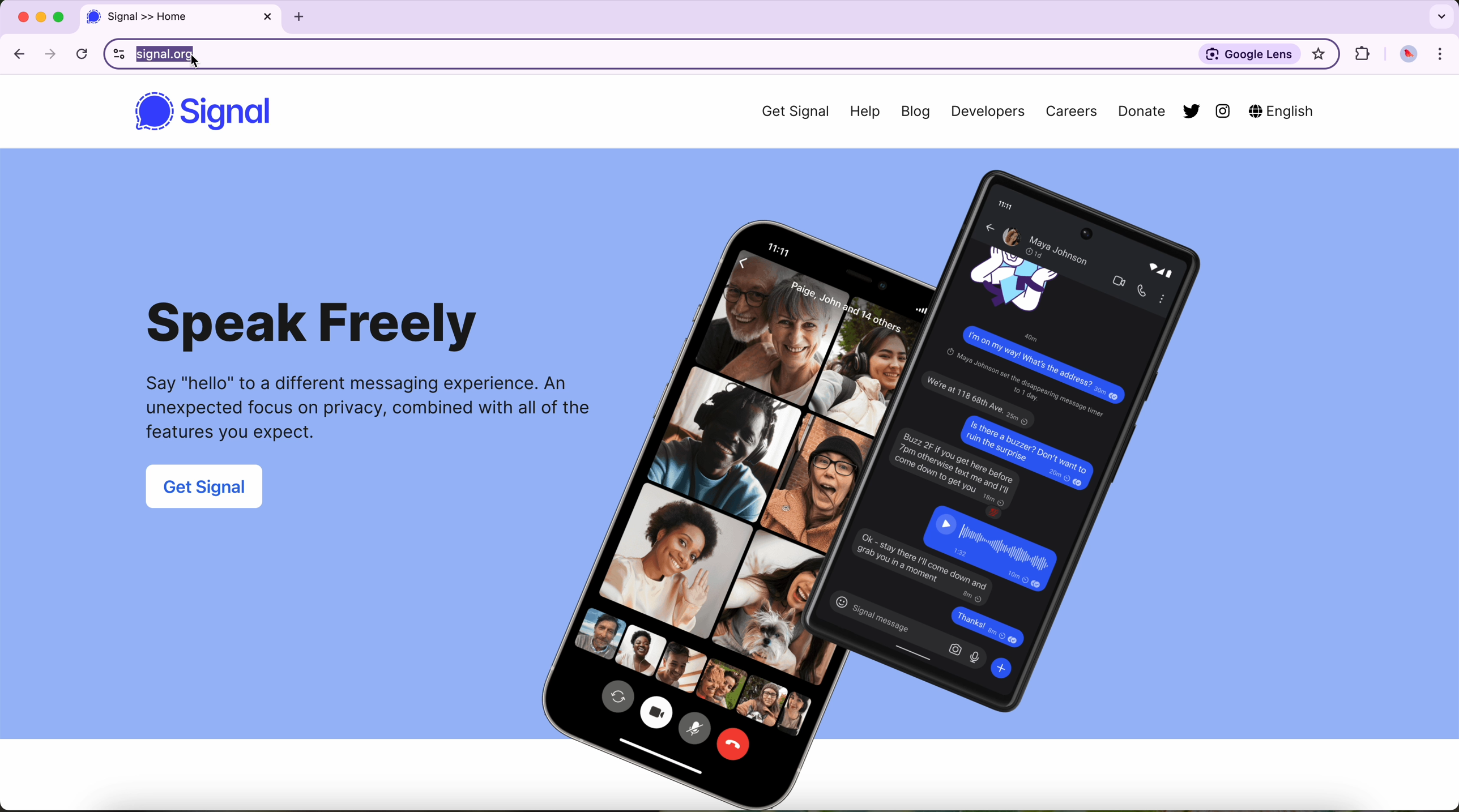  Describe the element at coordinates (84, 54) in the screenshot. I see `refresh the page` at that location.